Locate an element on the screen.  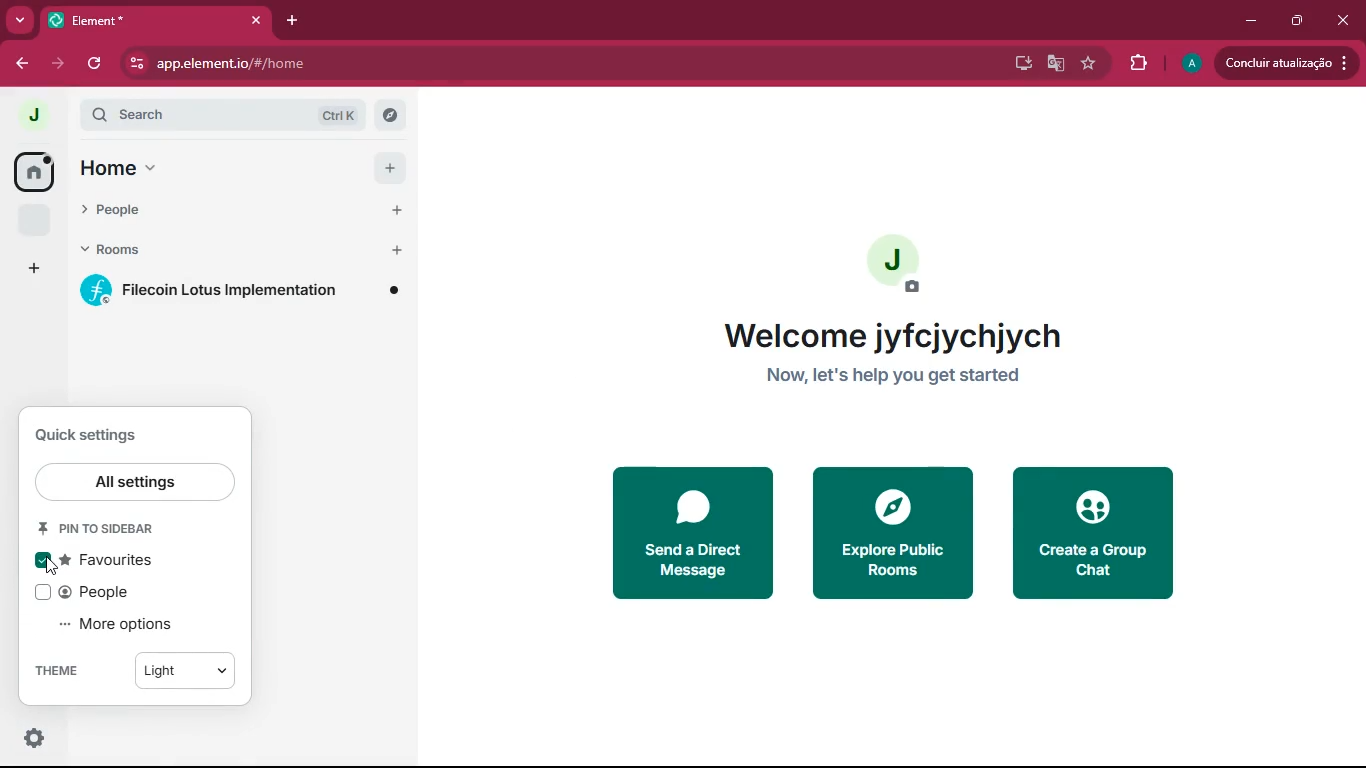
more is located at coordinates (20, 19).